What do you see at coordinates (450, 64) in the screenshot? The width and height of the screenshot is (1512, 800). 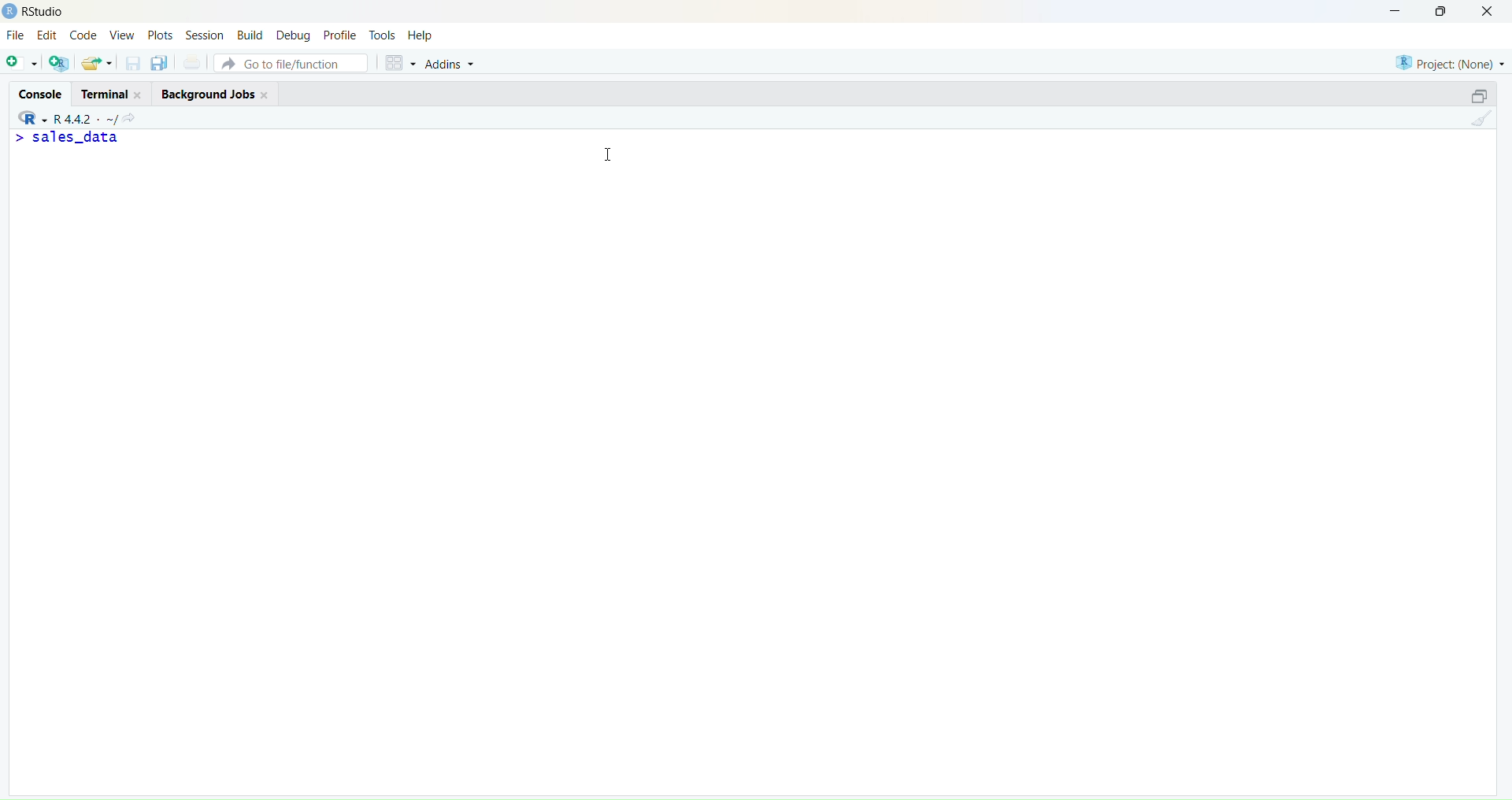 I see `Addins ~` at bounding box center [450, 64].